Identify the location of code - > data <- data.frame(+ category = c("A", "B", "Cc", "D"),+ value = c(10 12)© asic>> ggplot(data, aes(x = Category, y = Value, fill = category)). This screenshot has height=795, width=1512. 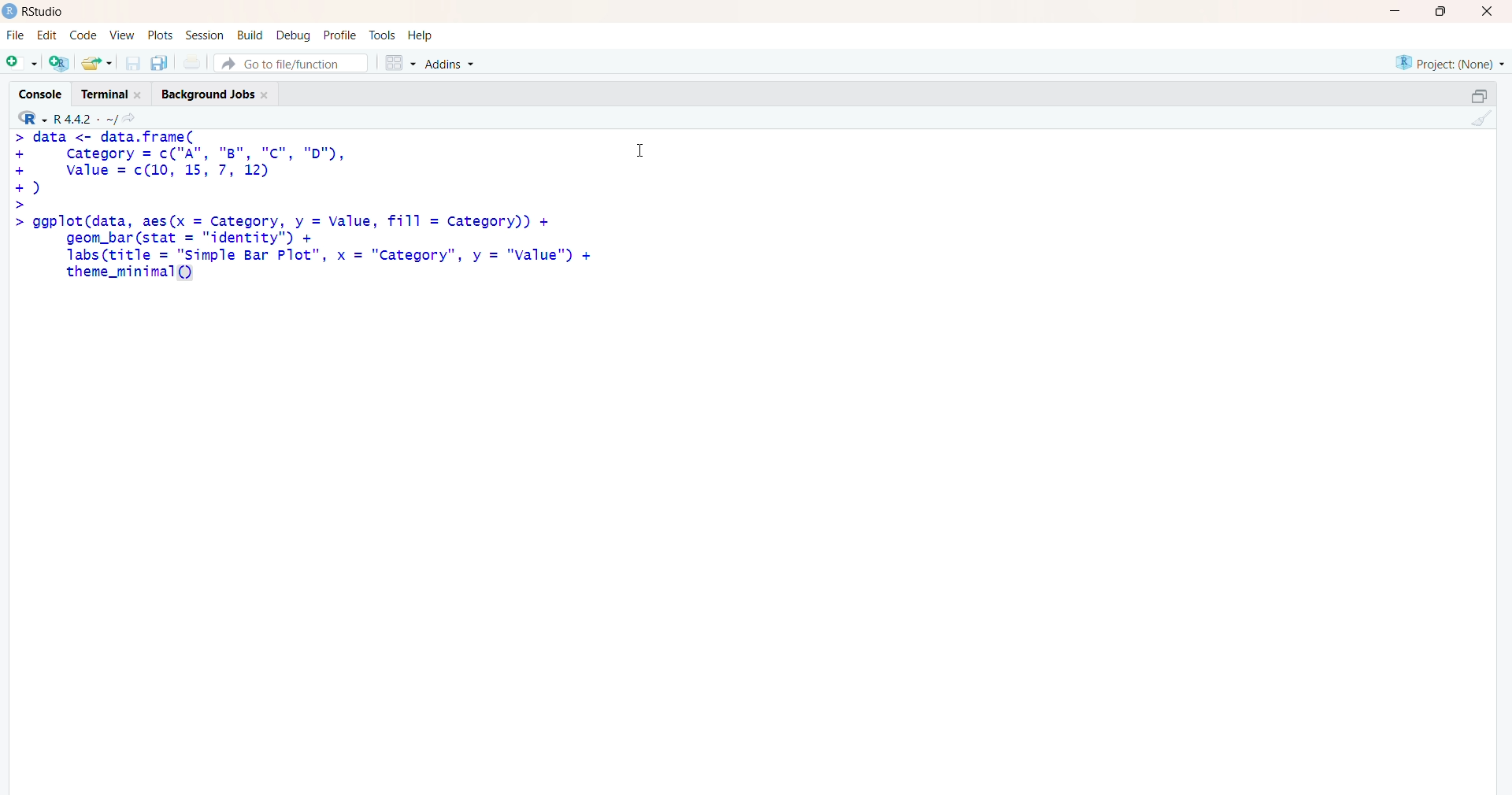
(306, 206).